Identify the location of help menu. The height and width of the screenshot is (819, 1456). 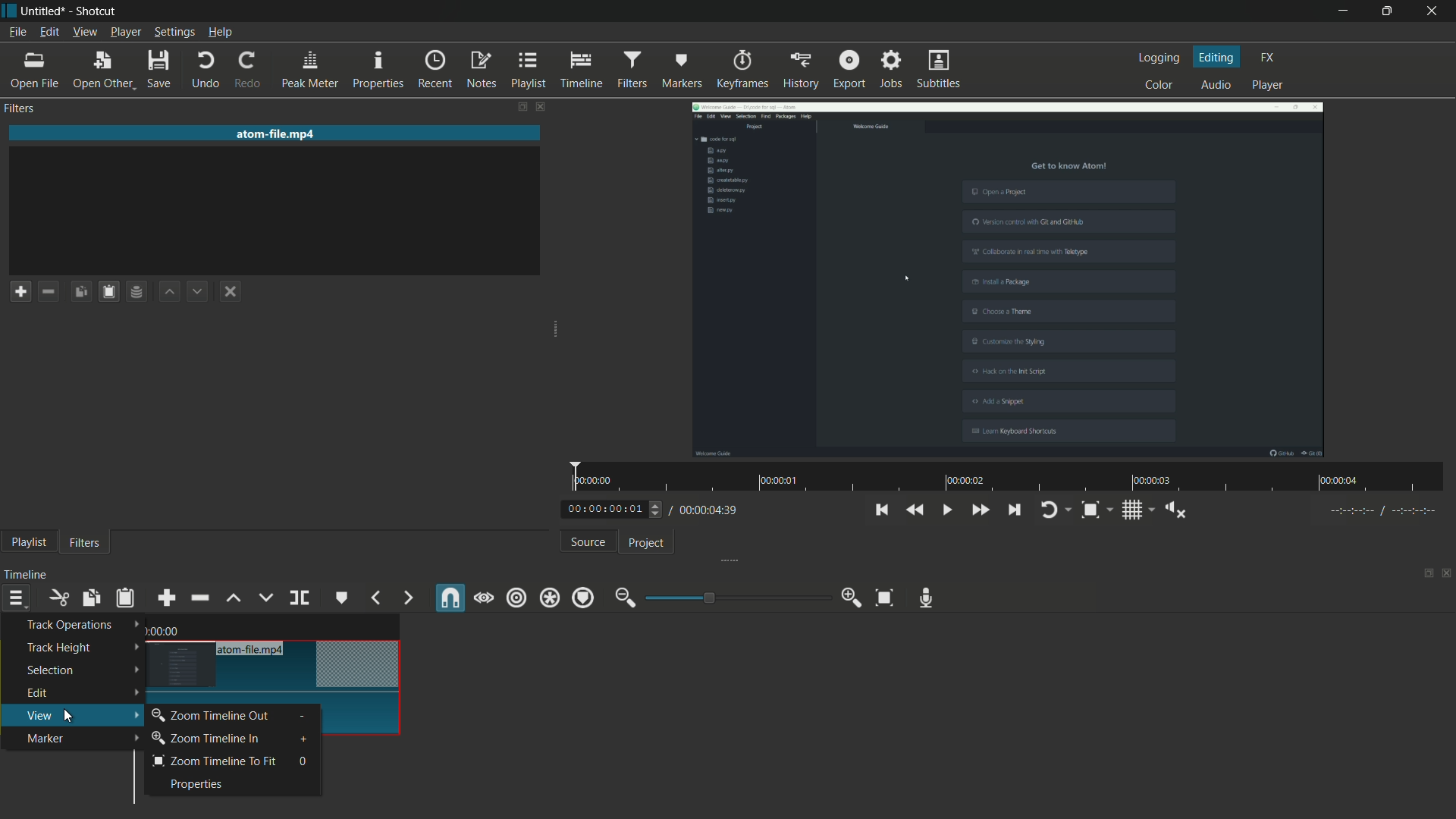
(219, 34).